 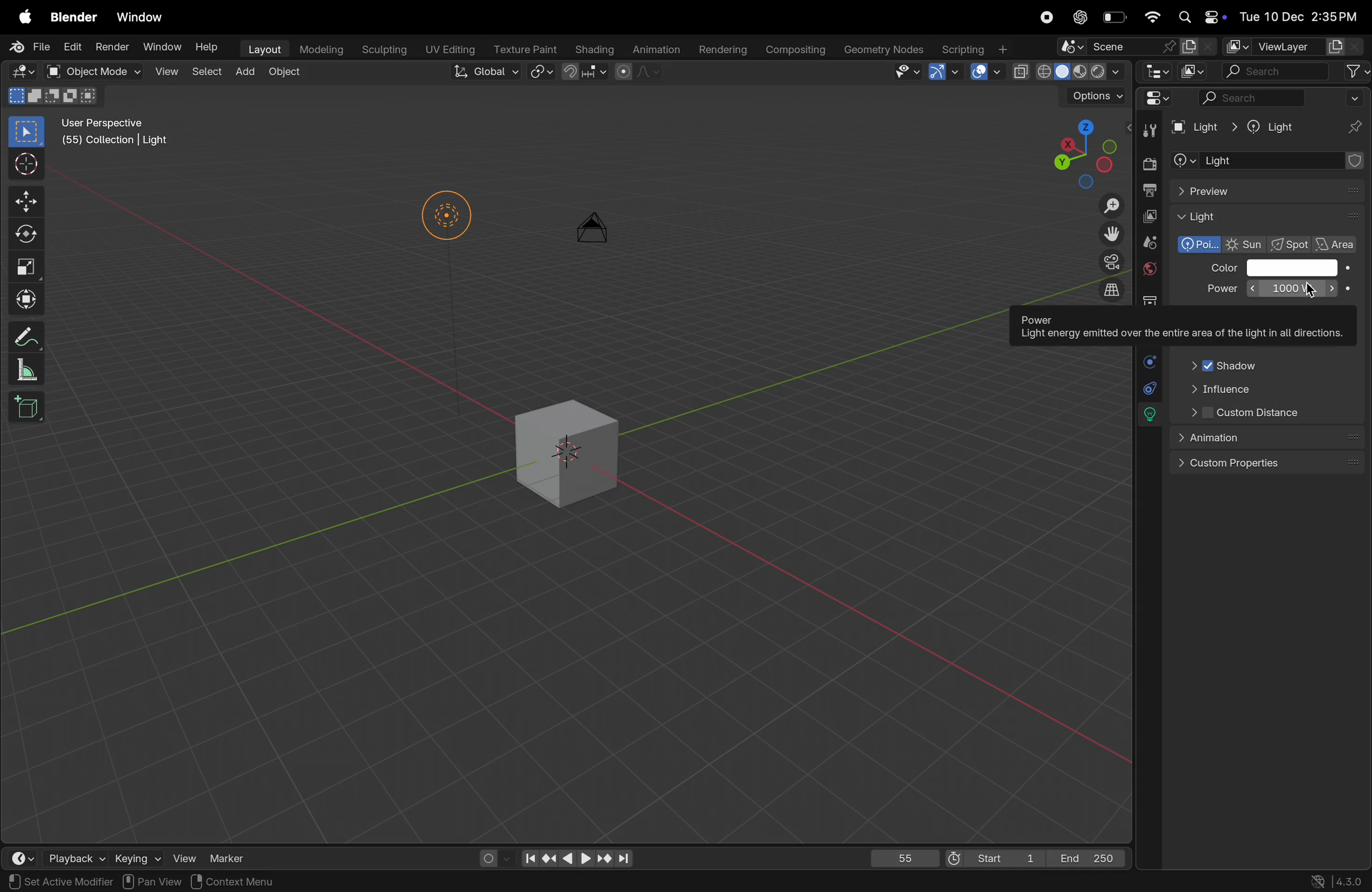 I want to click on Light, so click(x=1203, y=127).